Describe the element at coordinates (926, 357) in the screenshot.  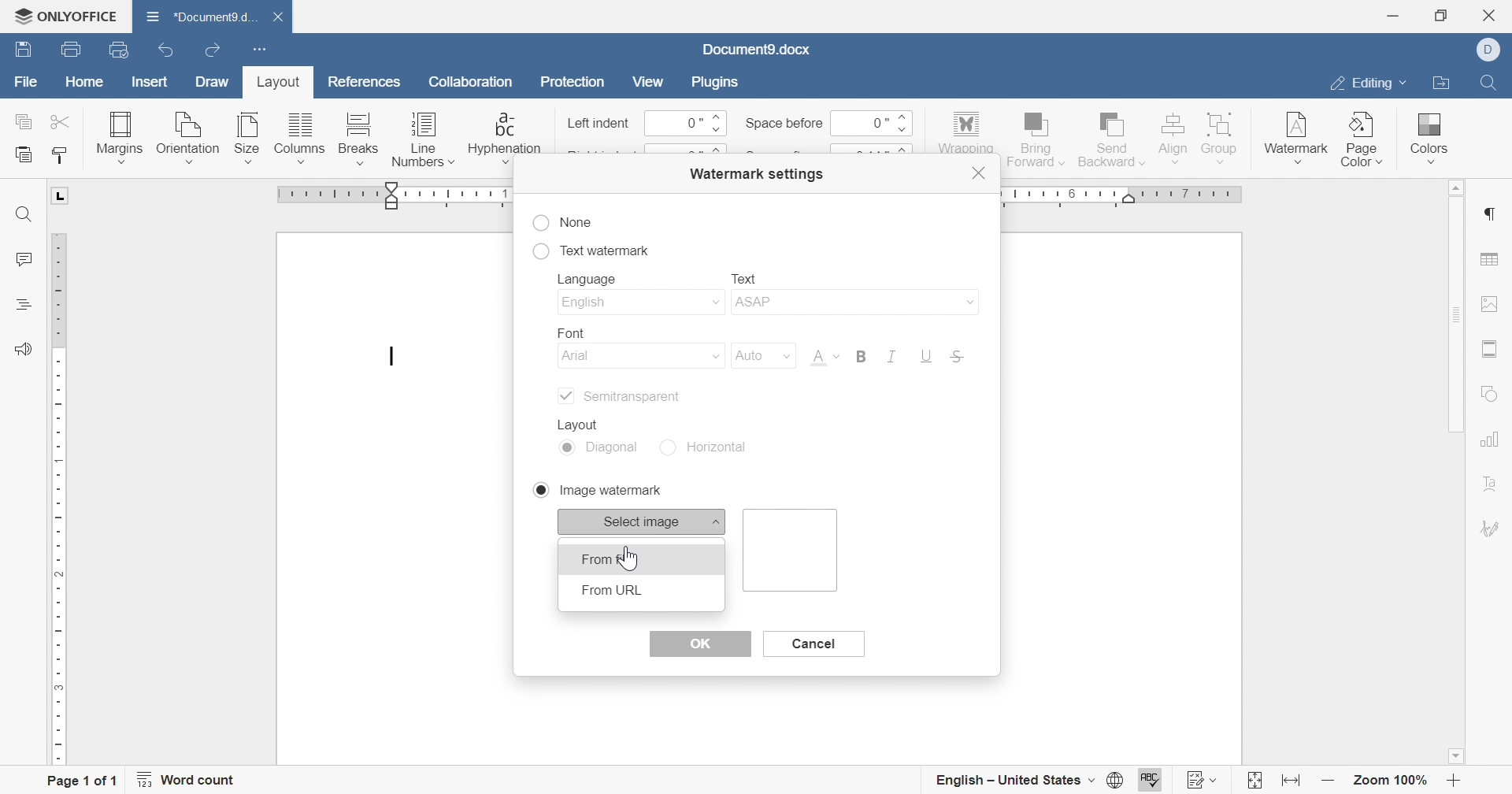
I see `underline` at that location.